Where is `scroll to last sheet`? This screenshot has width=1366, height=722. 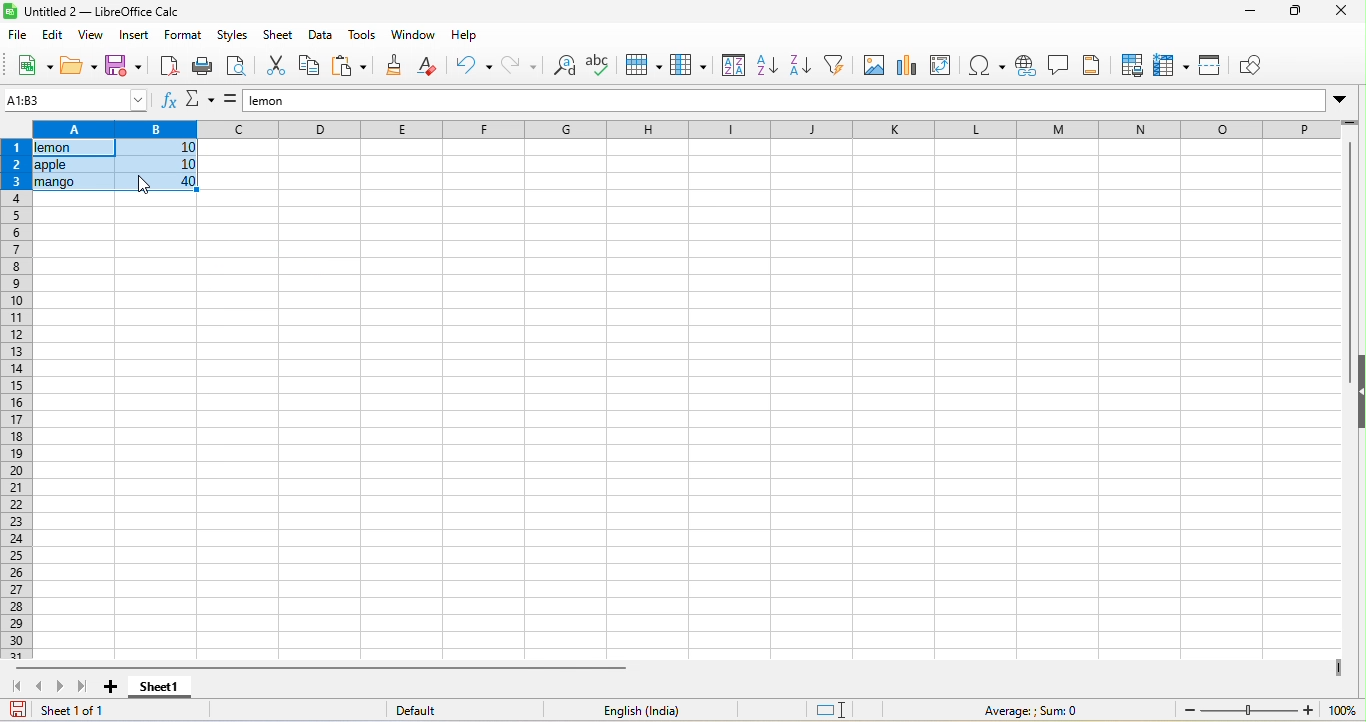 scroll to last sheet is located at coordinates (81, 688).